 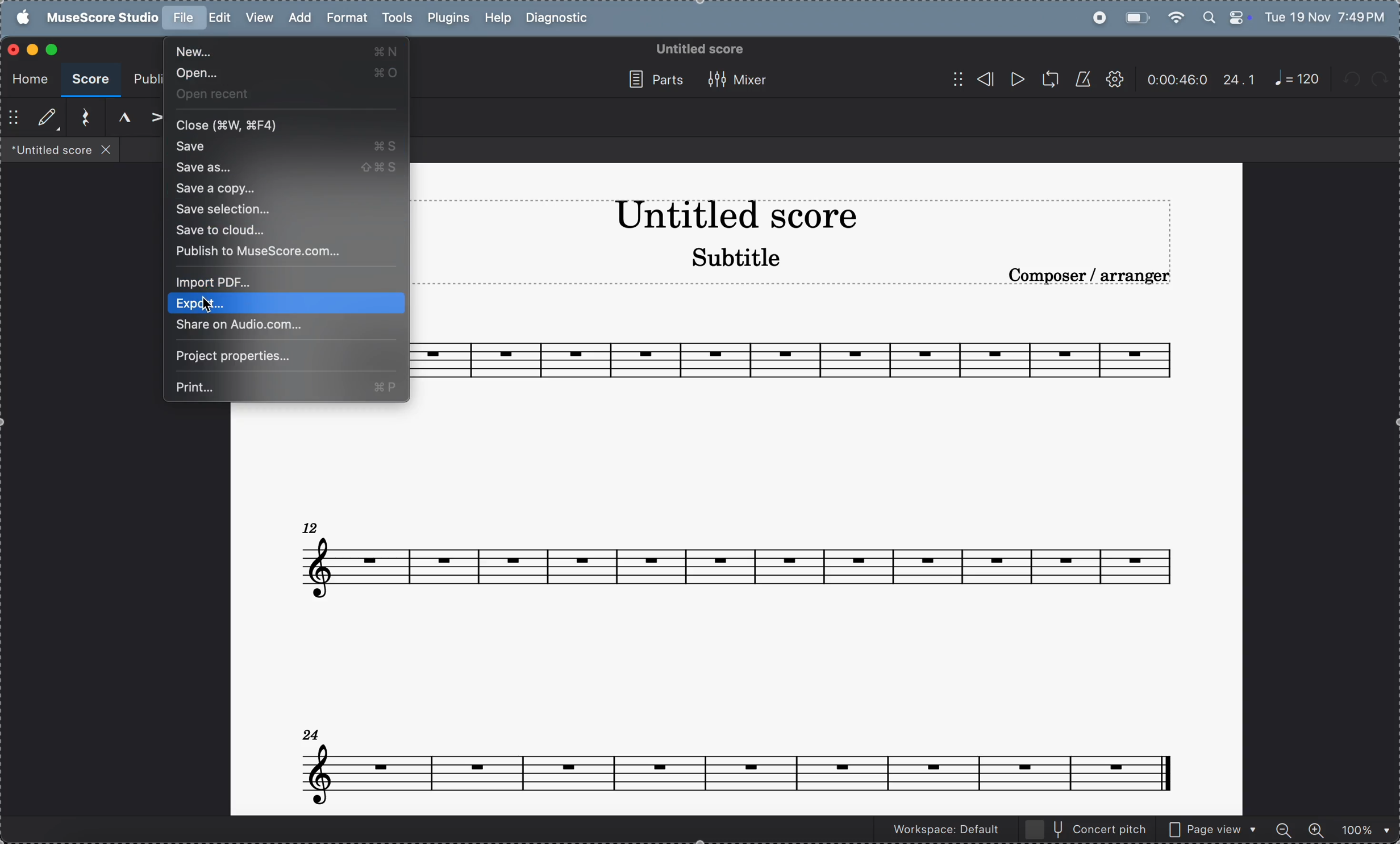 I want to click on notes, so click(x=736, y=760).